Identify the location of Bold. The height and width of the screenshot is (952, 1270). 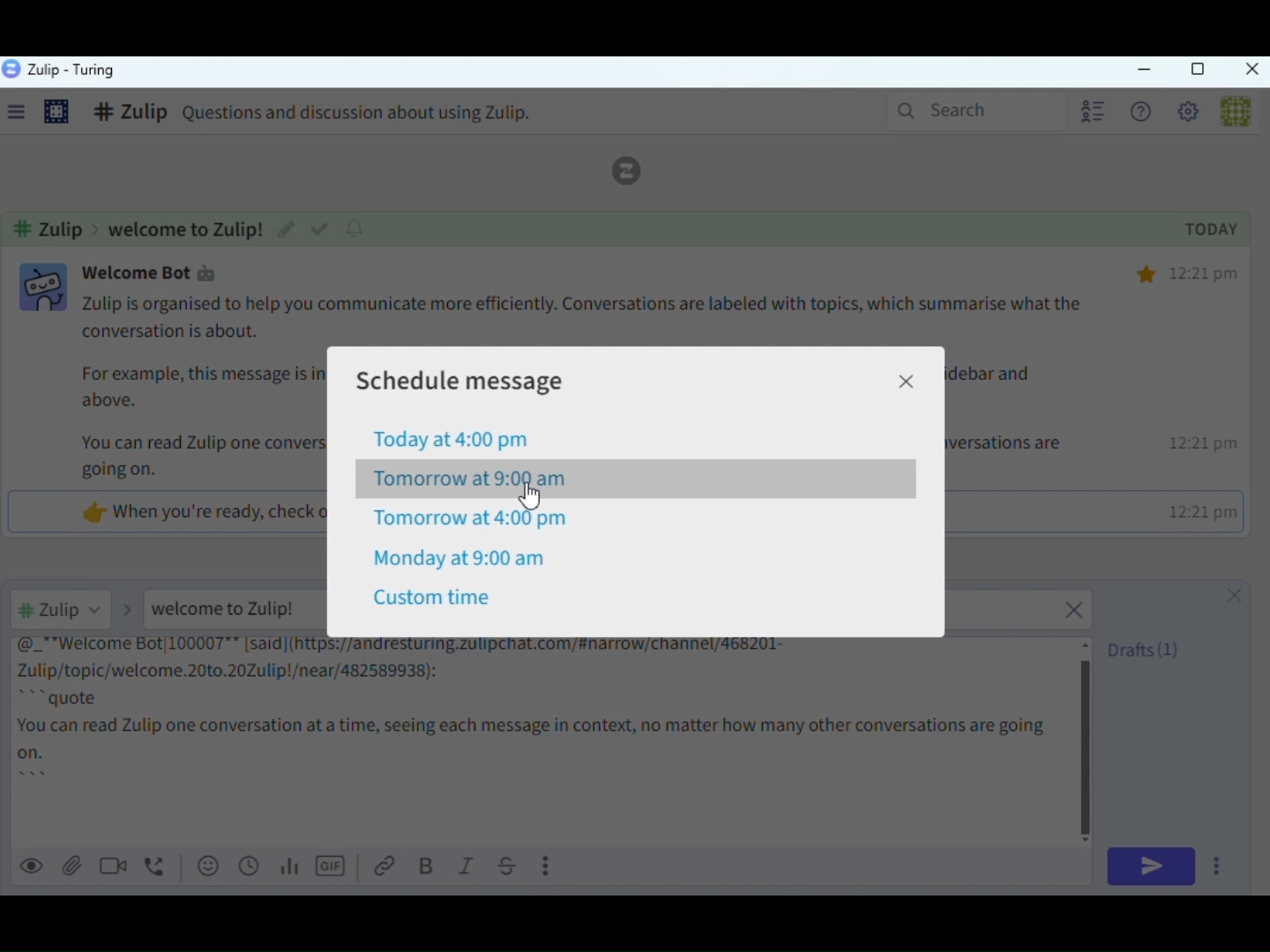
(429, 867).